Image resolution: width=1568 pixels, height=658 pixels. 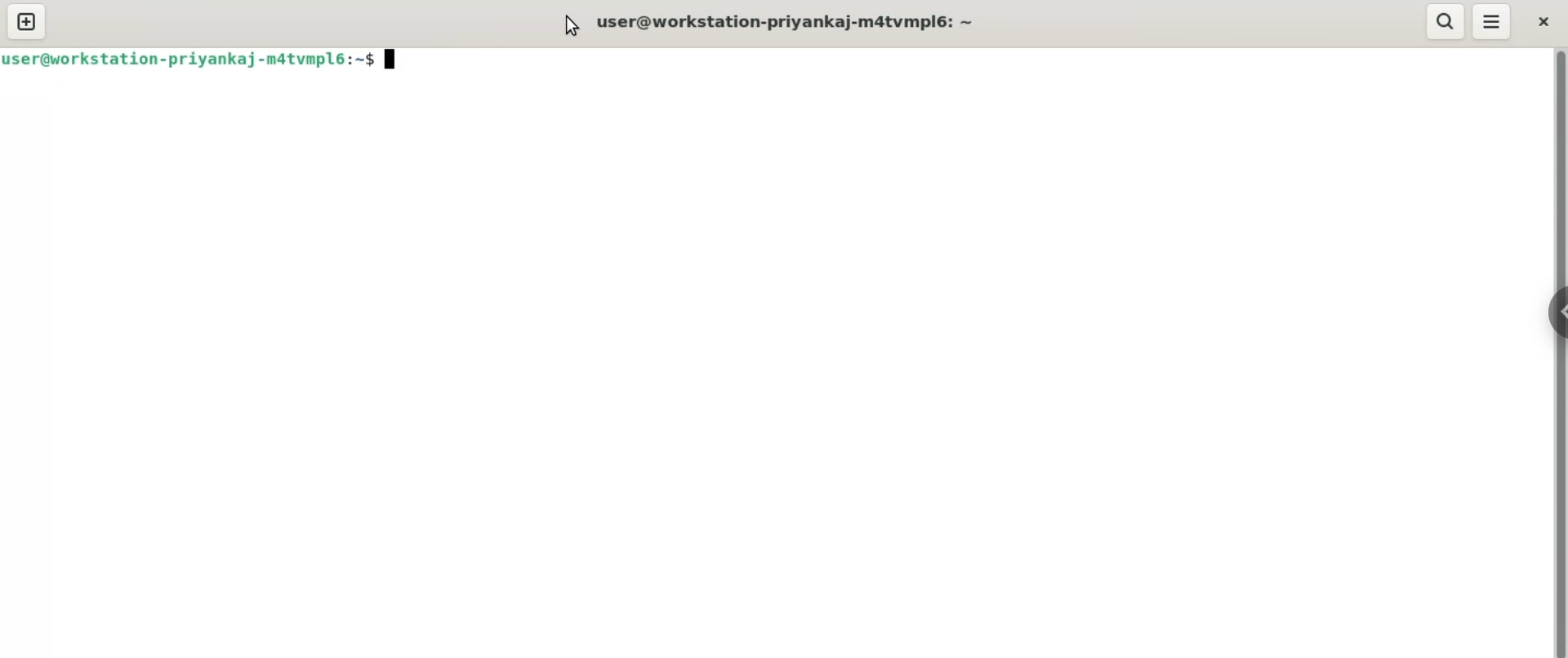 What do you see at coordinates (1492, 22) in the screenshot?
I see `menu` at bounding box center [1492, 22].